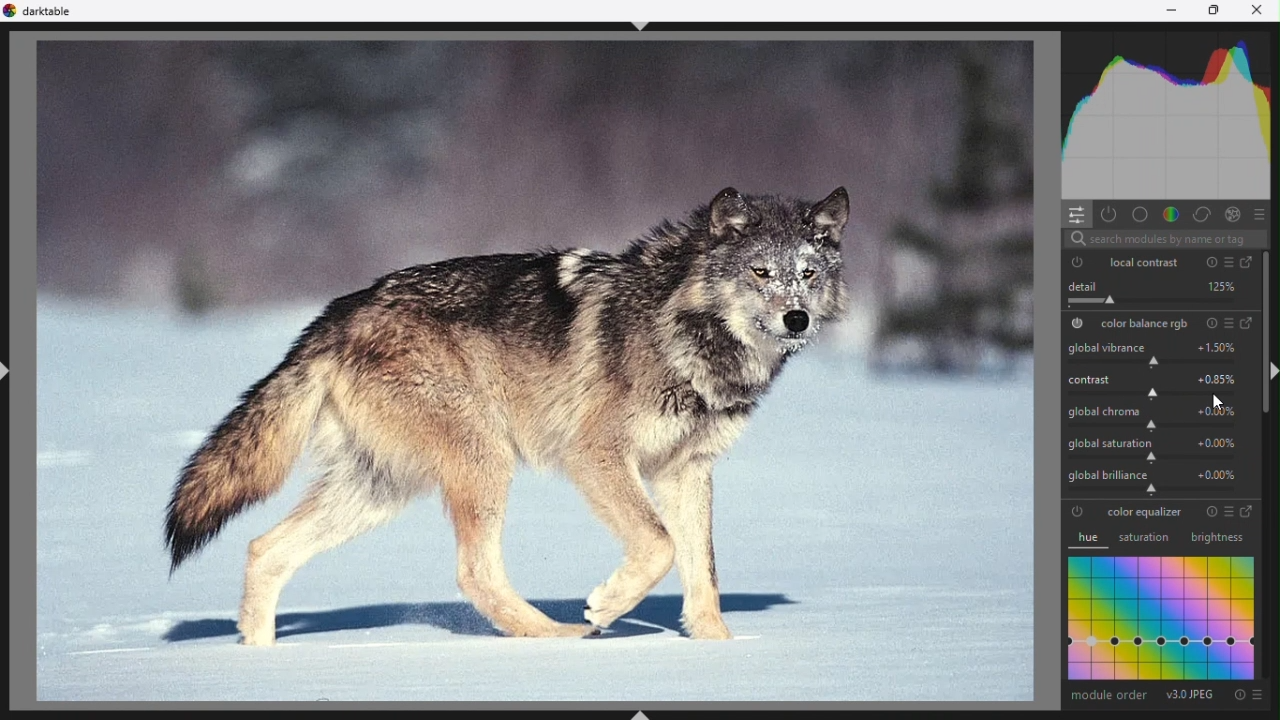 This screenshot has height=720, width=1280. I want to click on global chrome, so click(1150, 413).